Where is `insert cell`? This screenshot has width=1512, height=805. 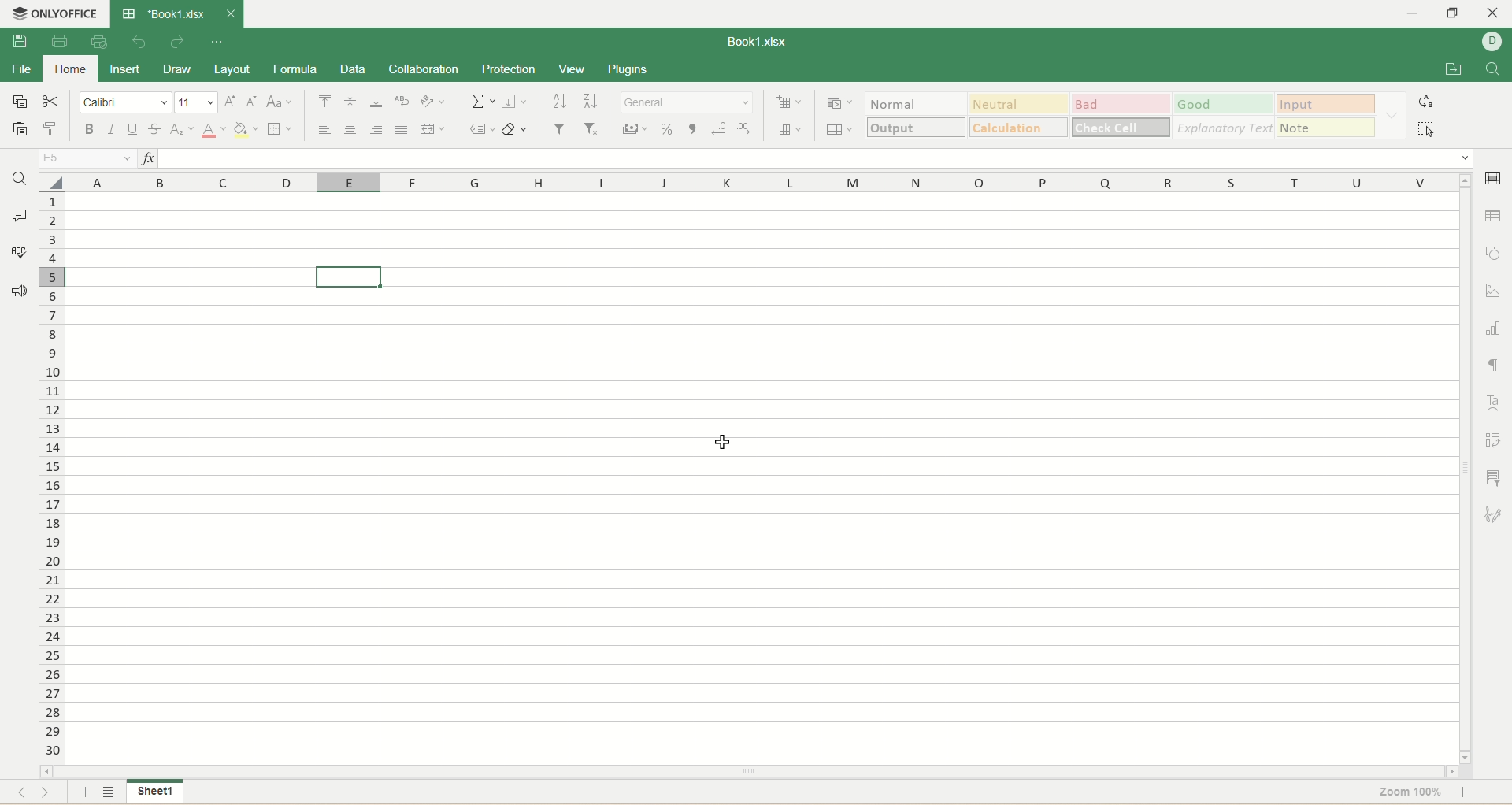 insert cell is located at coordinates (789, 102).